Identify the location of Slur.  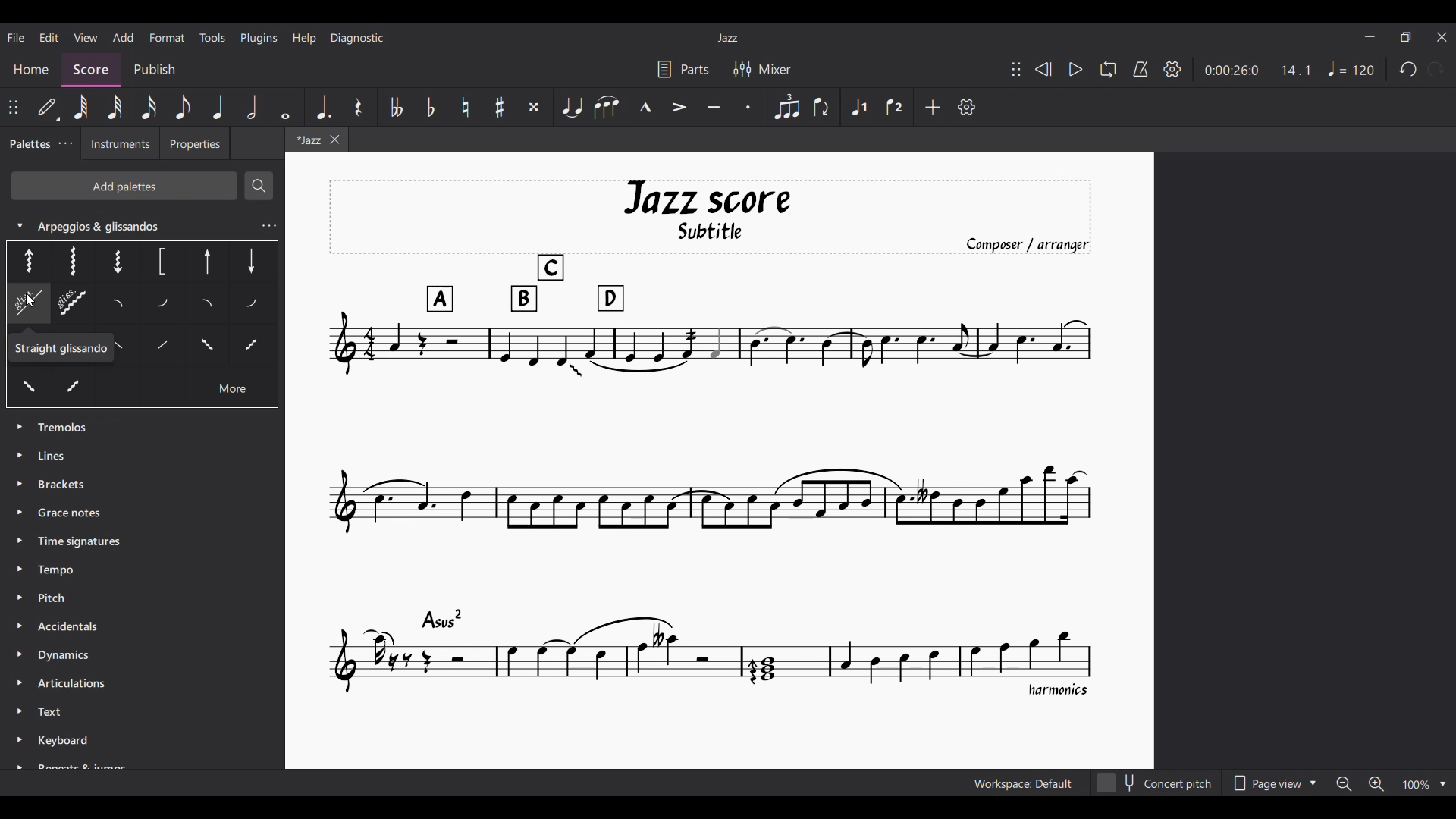
(606, 107).